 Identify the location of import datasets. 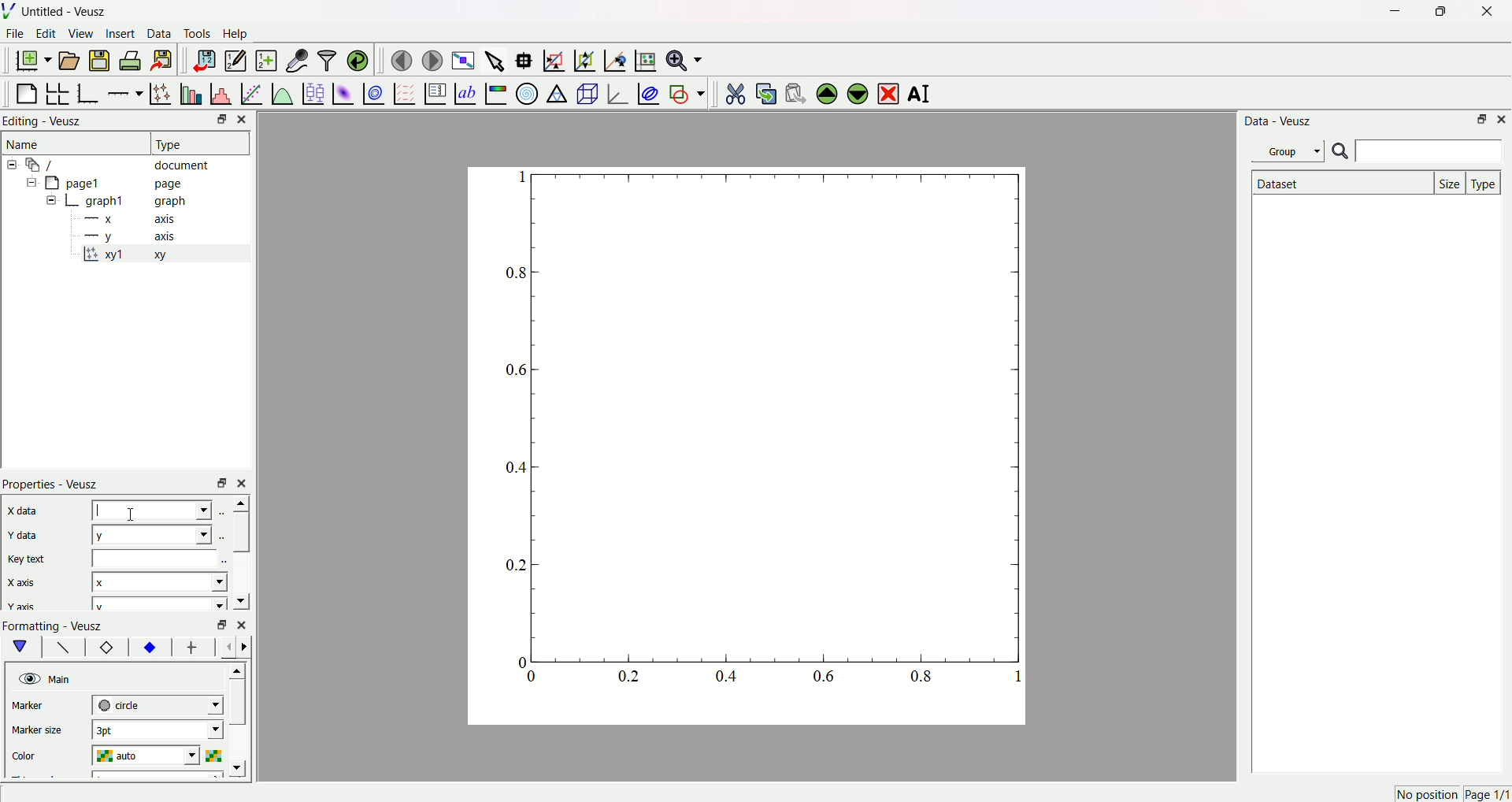
(204, 60).